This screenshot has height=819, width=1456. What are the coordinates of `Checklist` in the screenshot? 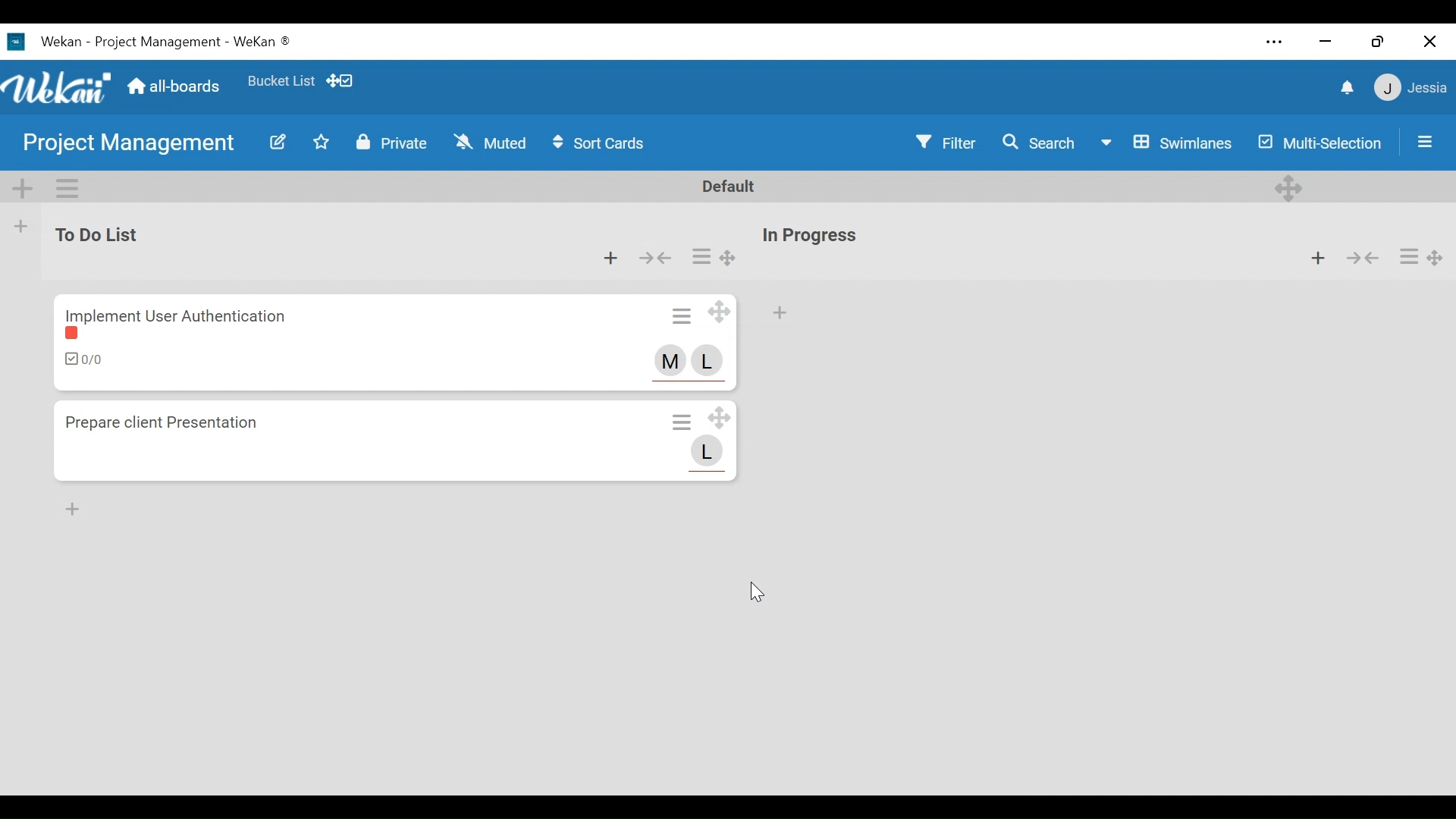 It's located at (83, 359).